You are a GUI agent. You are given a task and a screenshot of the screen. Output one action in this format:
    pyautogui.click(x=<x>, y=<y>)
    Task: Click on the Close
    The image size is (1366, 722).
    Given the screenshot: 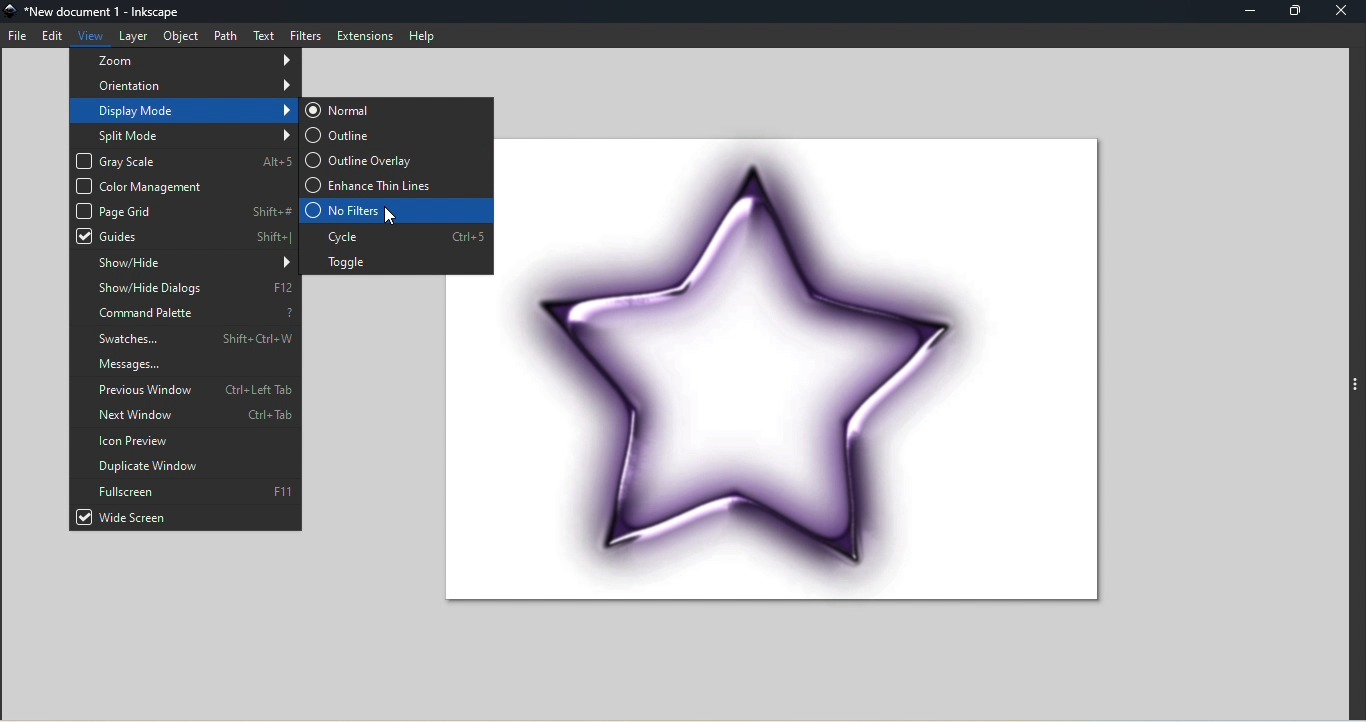 What is the action you would take?
    pyautogui.click(x=1345, y=10)
    